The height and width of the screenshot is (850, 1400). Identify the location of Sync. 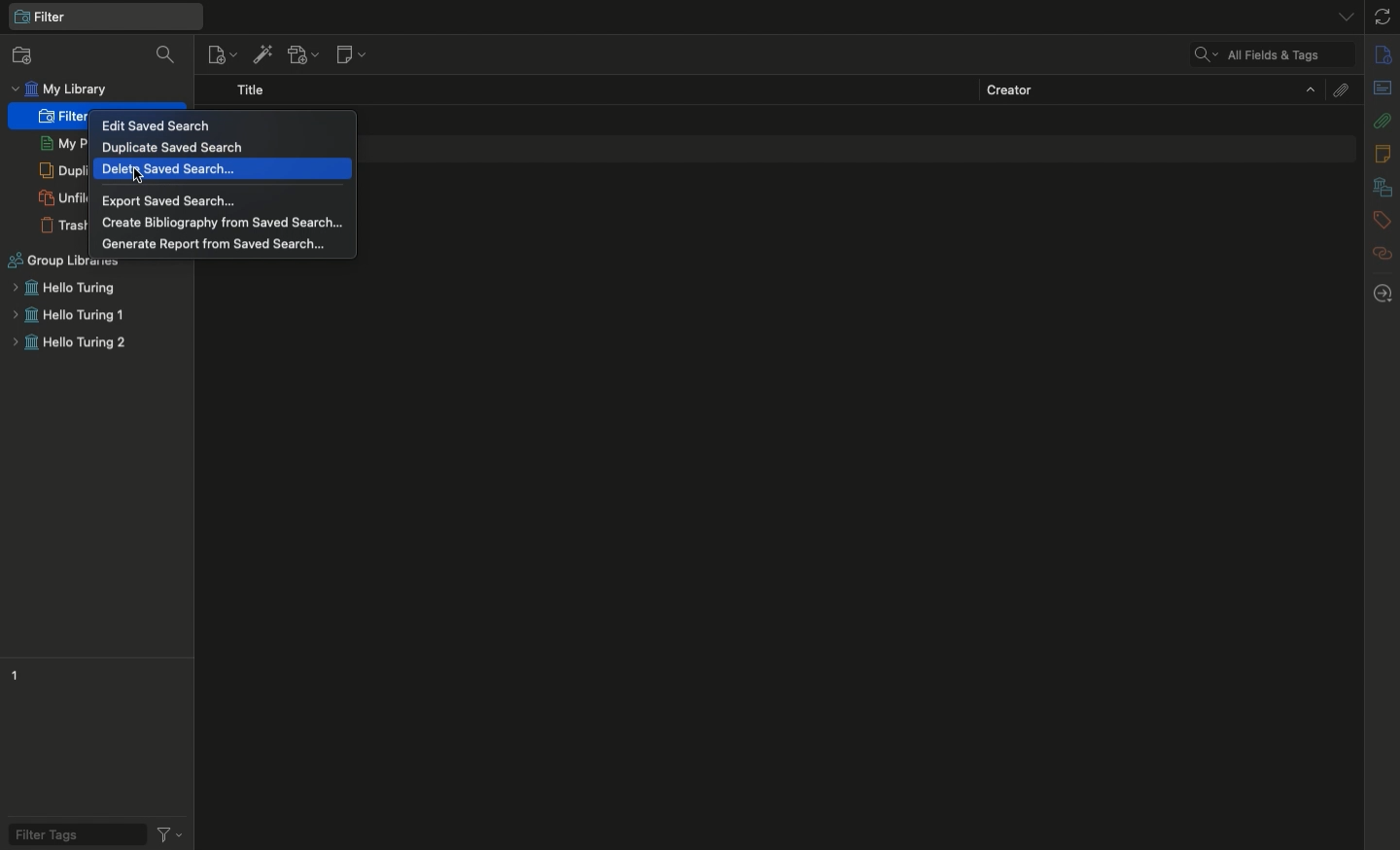
(1383, 17).